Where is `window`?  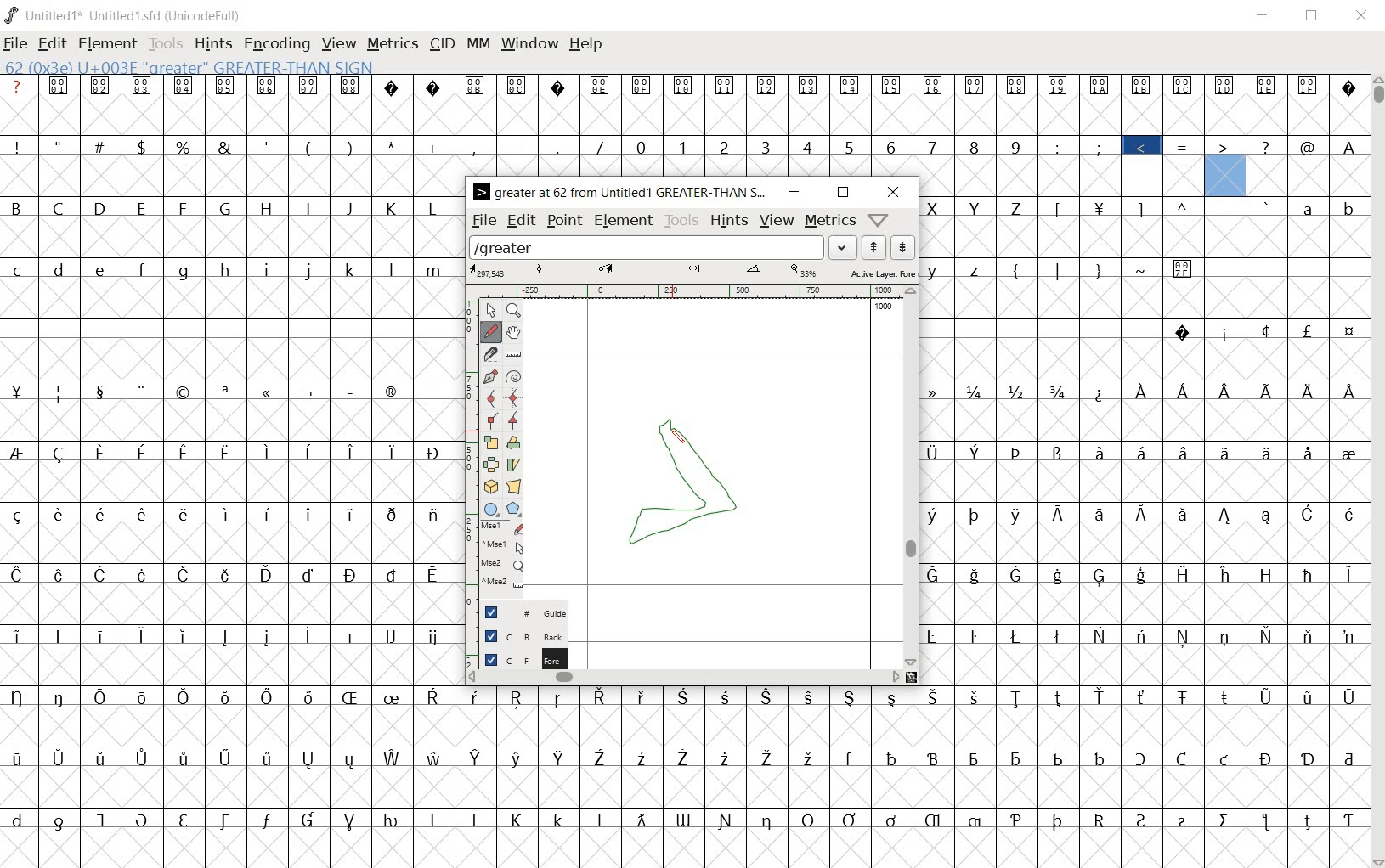 window is located at coordinates (529, 45).